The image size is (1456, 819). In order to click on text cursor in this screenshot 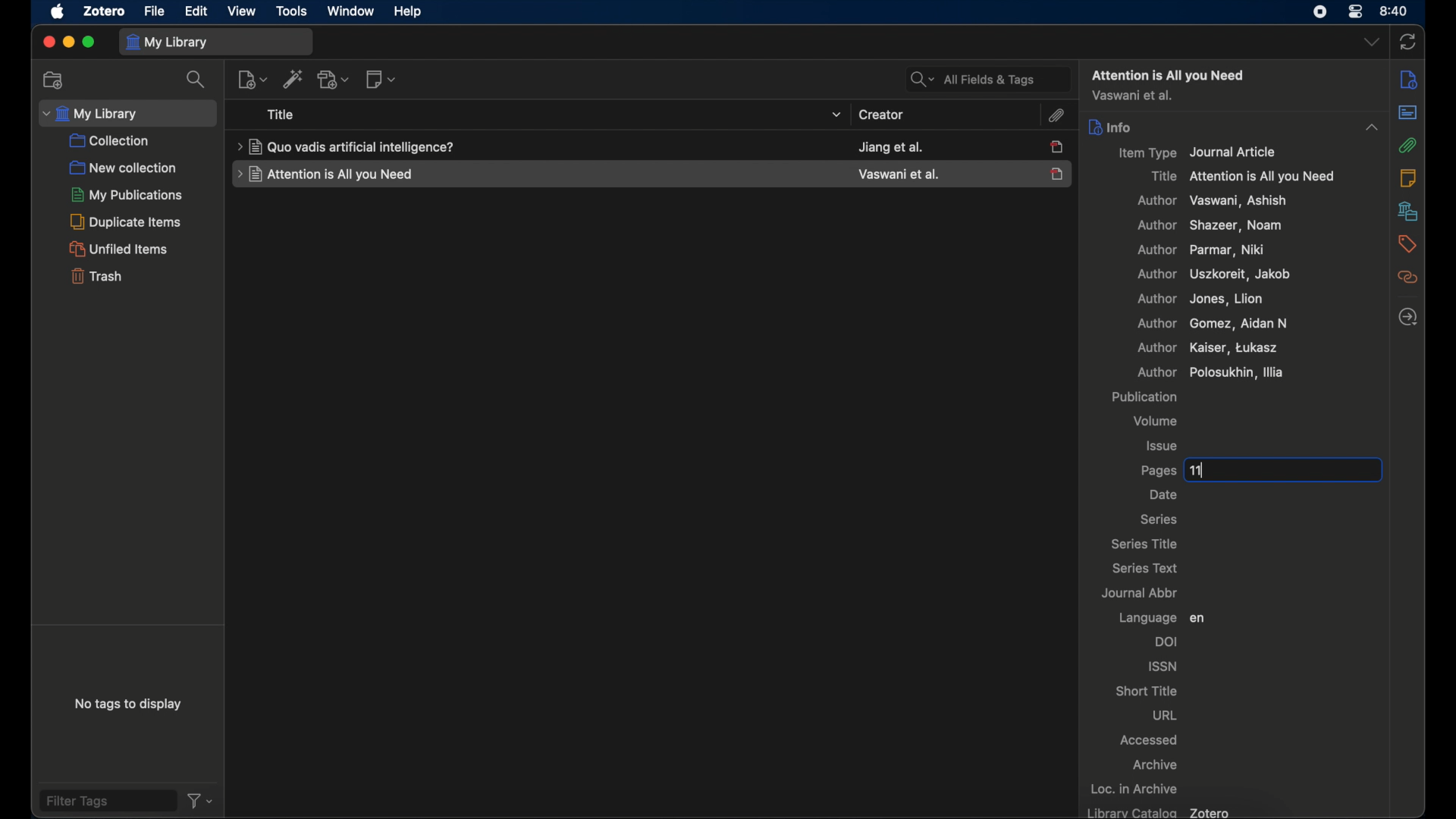, I will do `click(1225, 469)`.